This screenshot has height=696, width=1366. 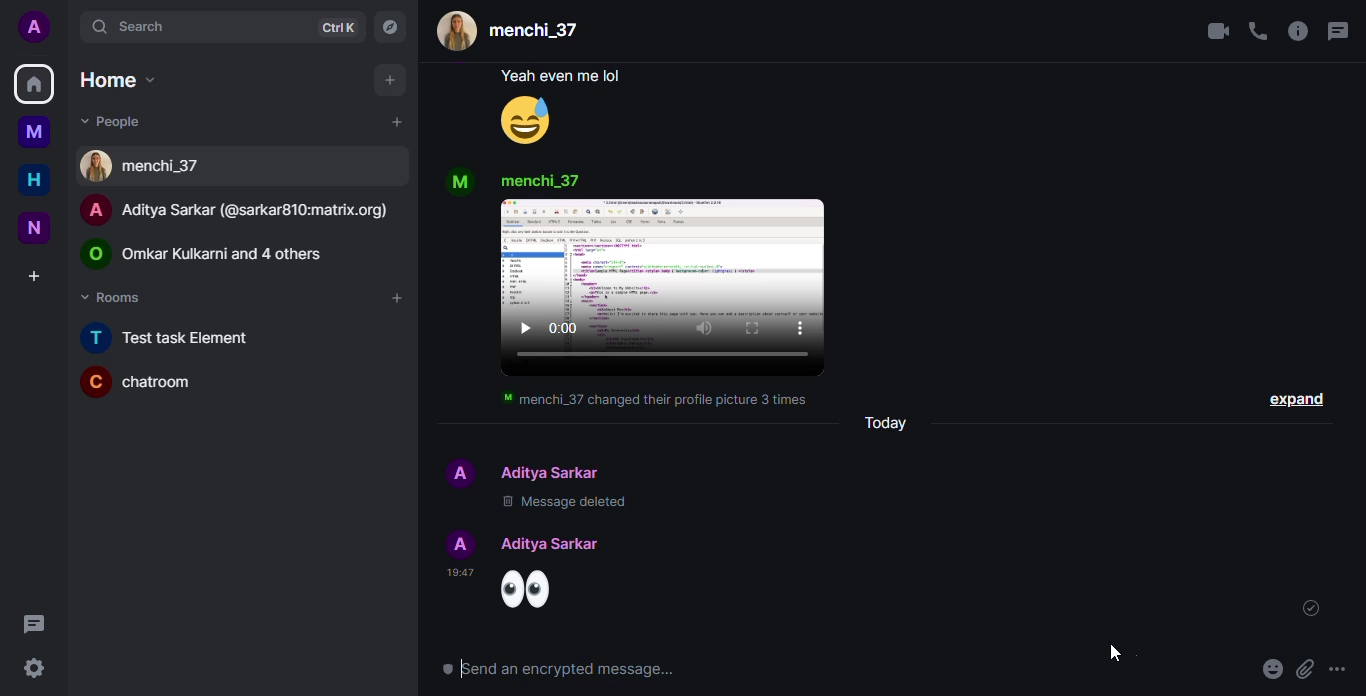 I want to click on voice call, so click(x=1257, y=31).